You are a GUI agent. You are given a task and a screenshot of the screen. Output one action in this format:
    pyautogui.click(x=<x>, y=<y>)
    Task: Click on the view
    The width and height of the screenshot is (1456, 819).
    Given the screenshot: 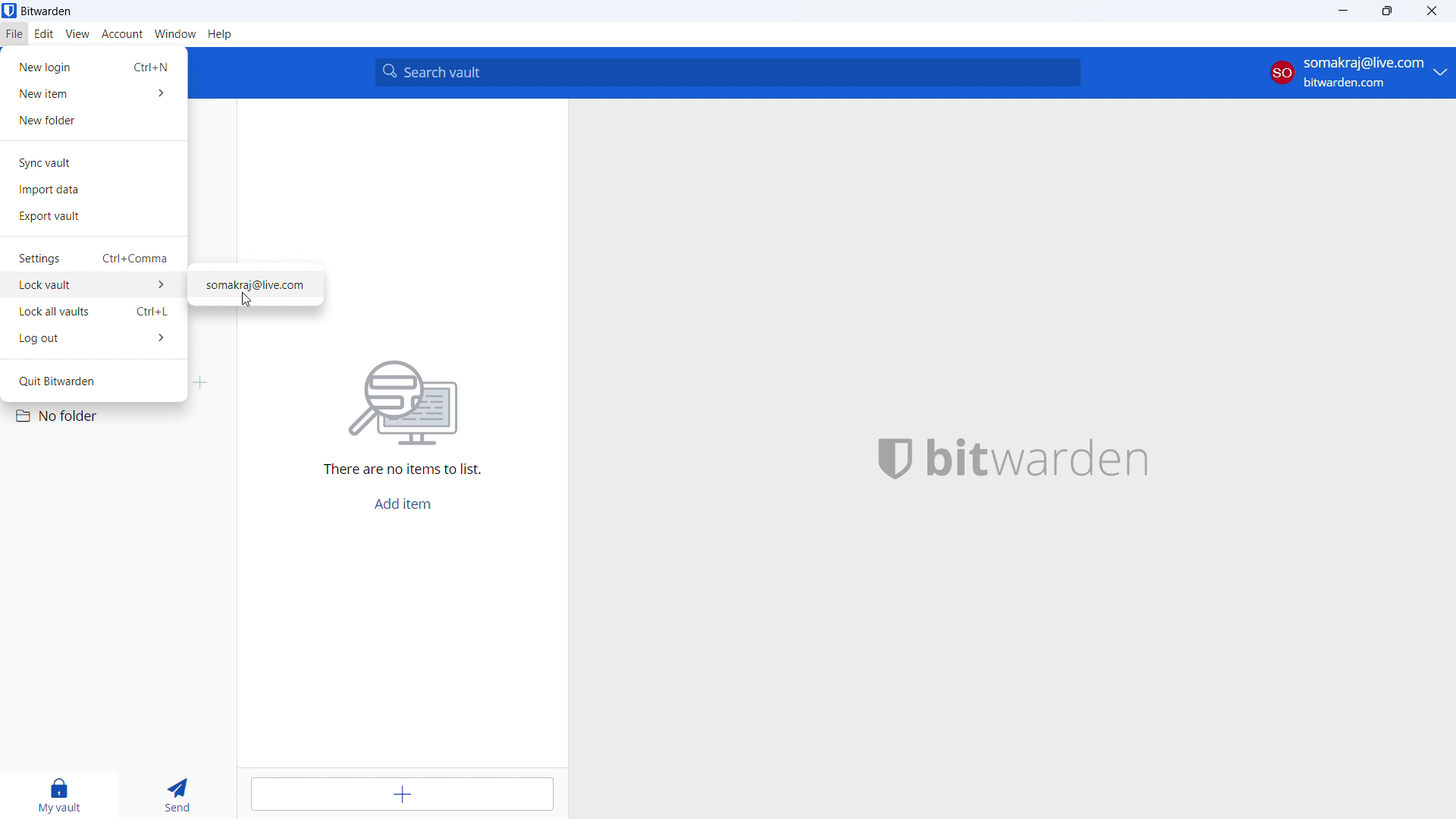 What is the action you would take?
    pyautogui.click(x=78, y=34)
    